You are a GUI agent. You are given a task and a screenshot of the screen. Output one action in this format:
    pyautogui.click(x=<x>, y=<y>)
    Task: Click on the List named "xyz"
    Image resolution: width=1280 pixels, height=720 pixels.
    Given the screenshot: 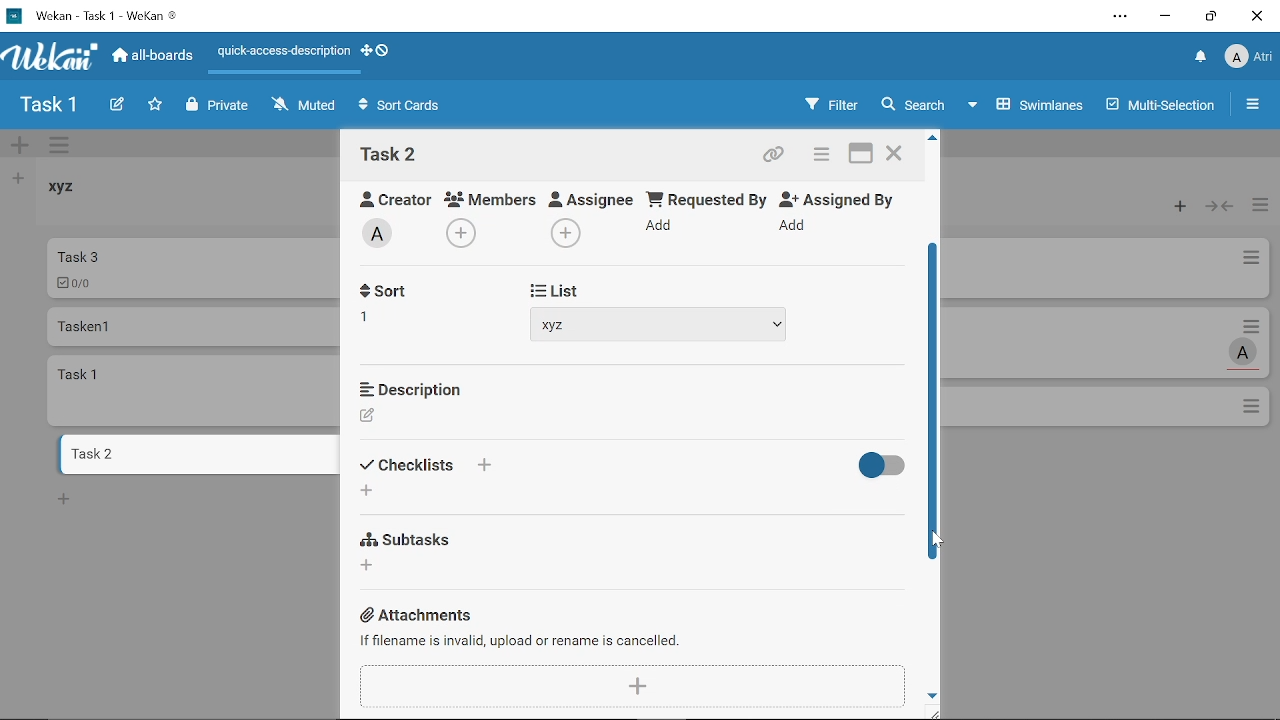 What is the action you would take?
    pyautogui.click(x=75, y=194)
    